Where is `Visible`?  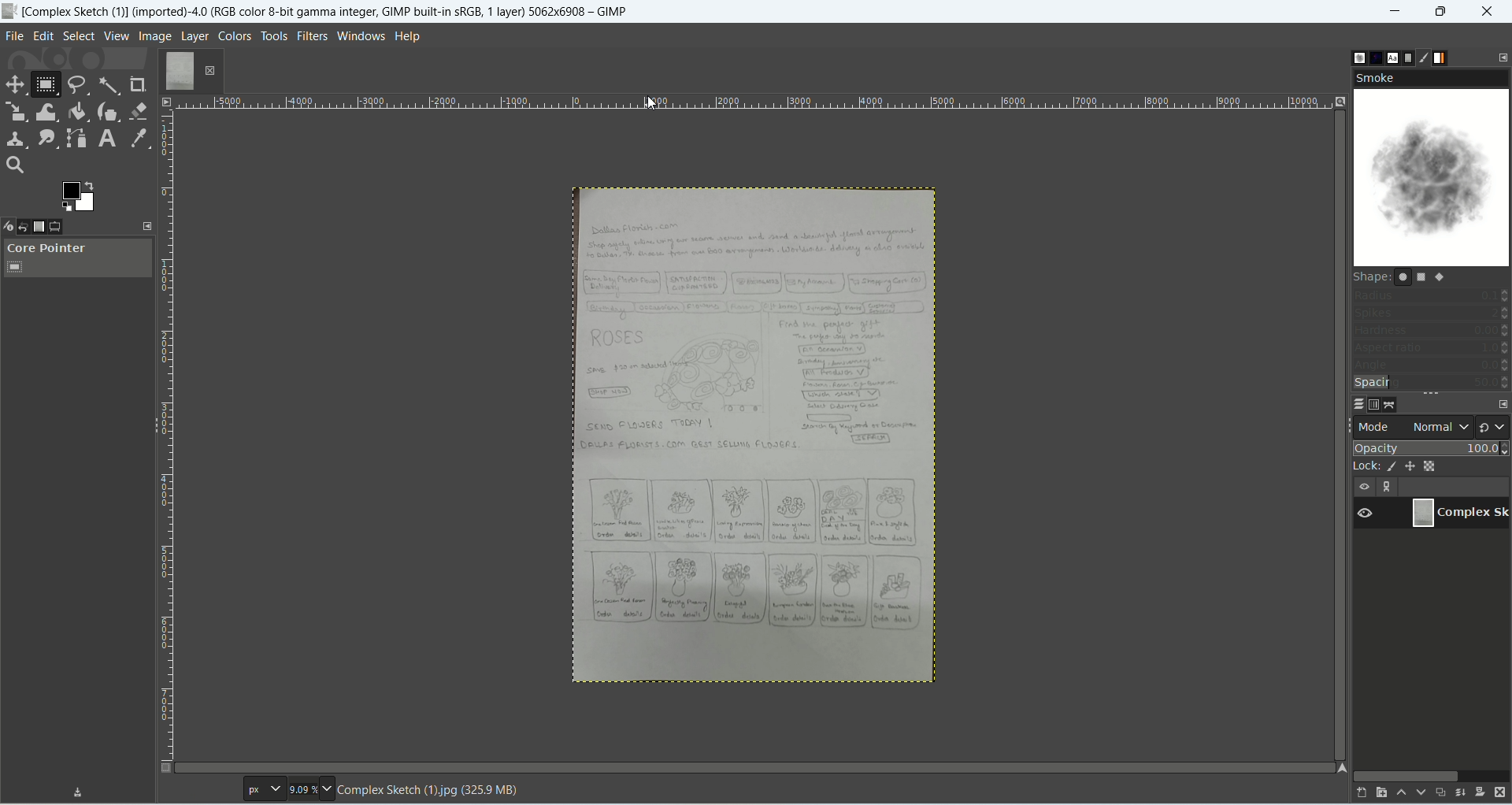 Visible is located at coordinates (1368, 514).